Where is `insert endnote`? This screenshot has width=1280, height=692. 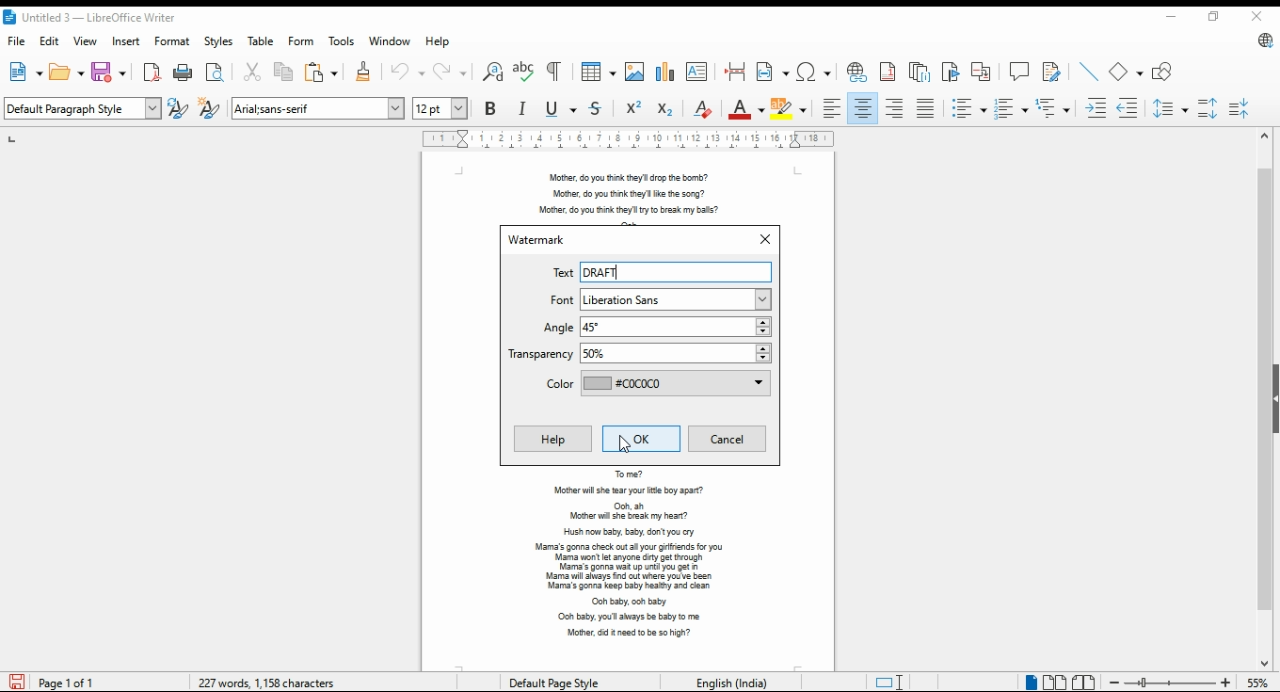
insert endnote is located at coordinates (920, 73).